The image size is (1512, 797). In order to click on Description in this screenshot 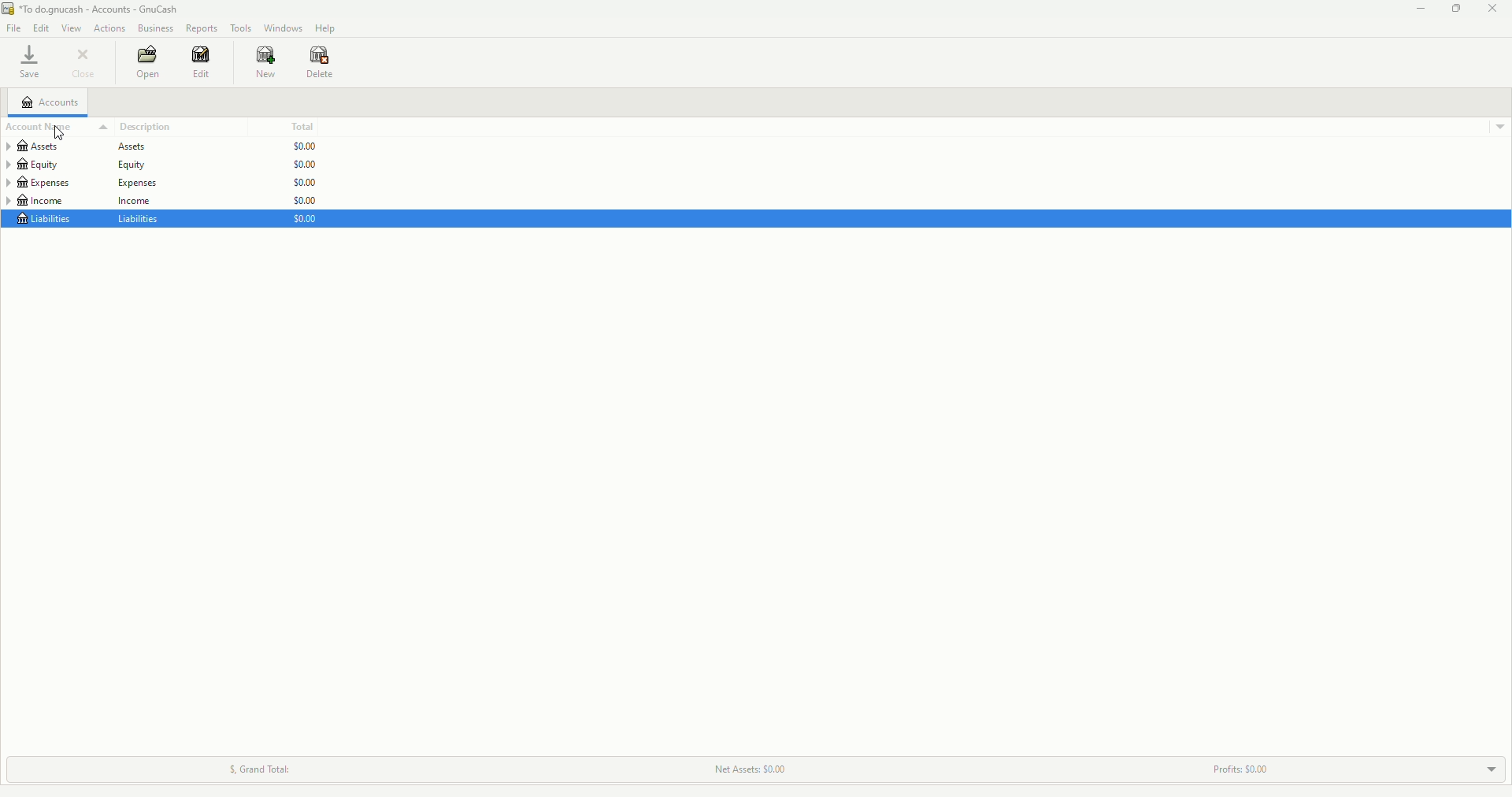, I will do `click(145, 128)`.